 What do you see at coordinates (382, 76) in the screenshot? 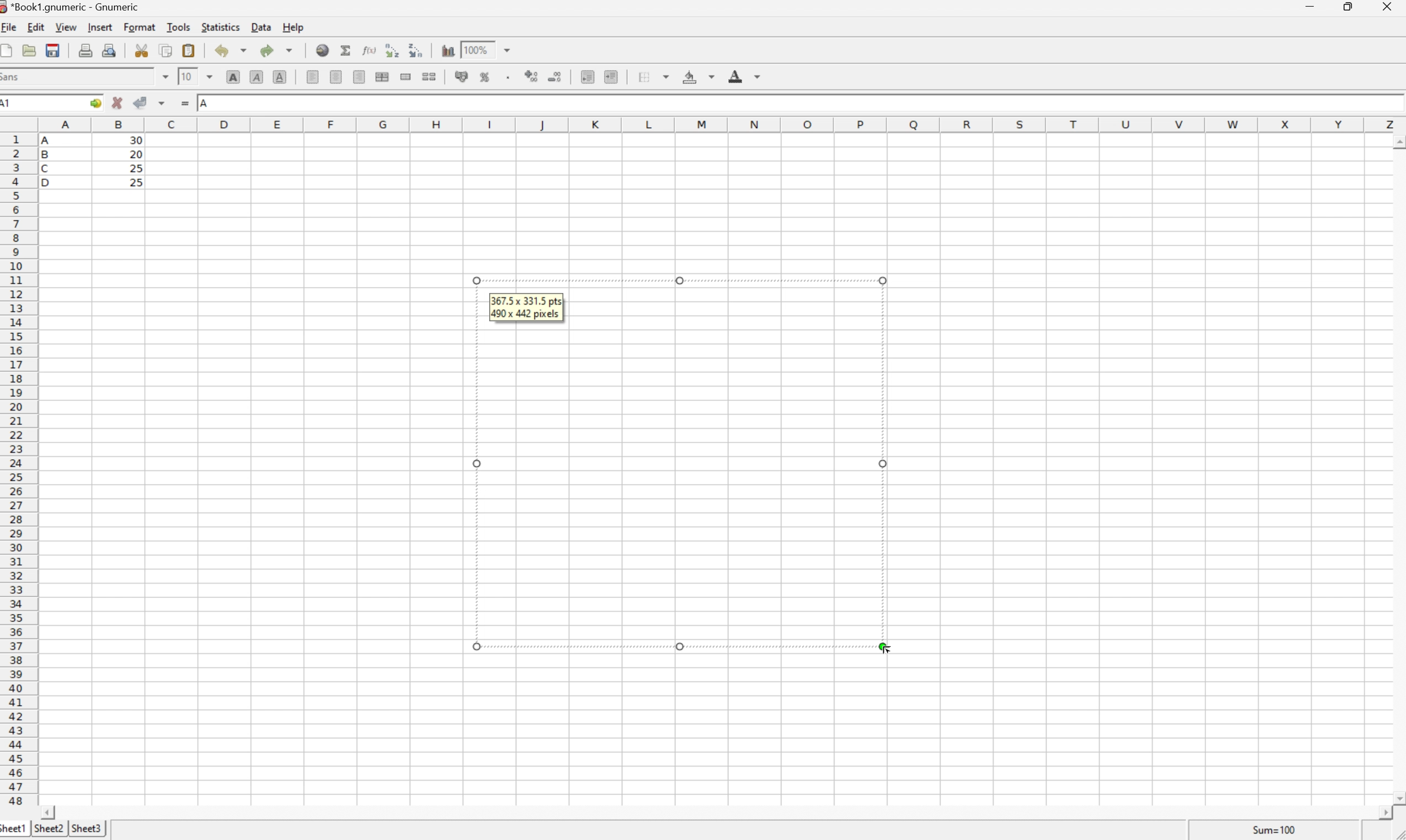
I see `Merge horizontally across the selection` at bounding box center [382, 76].